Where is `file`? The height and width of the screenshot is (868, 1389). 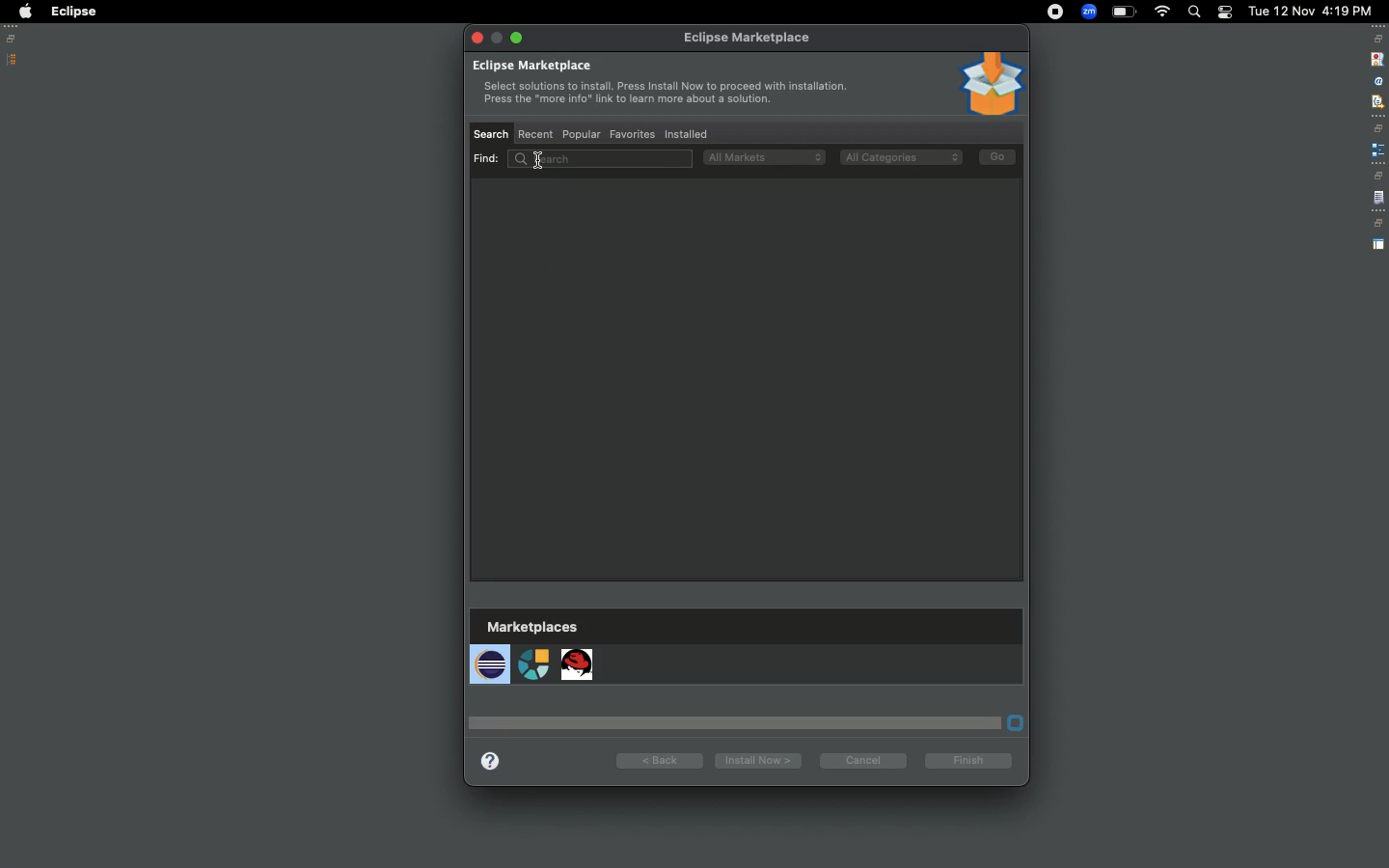 file is located at coordinates (1378, 199).